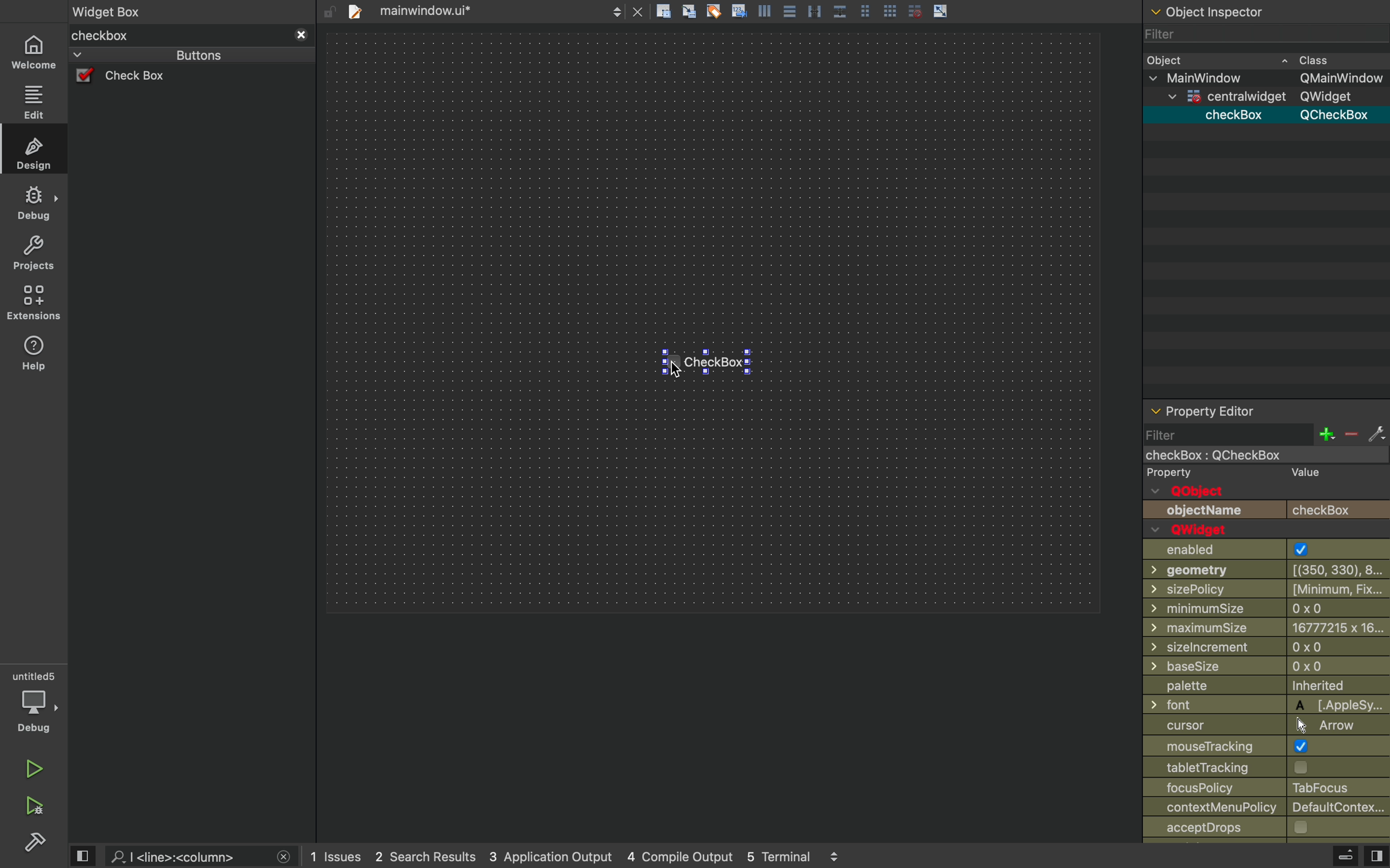 The width and height of the screenshot is (1390, 868). Describe the element at coordinates (111, 10) in the screenshot. I see `Widget Box` at that location.